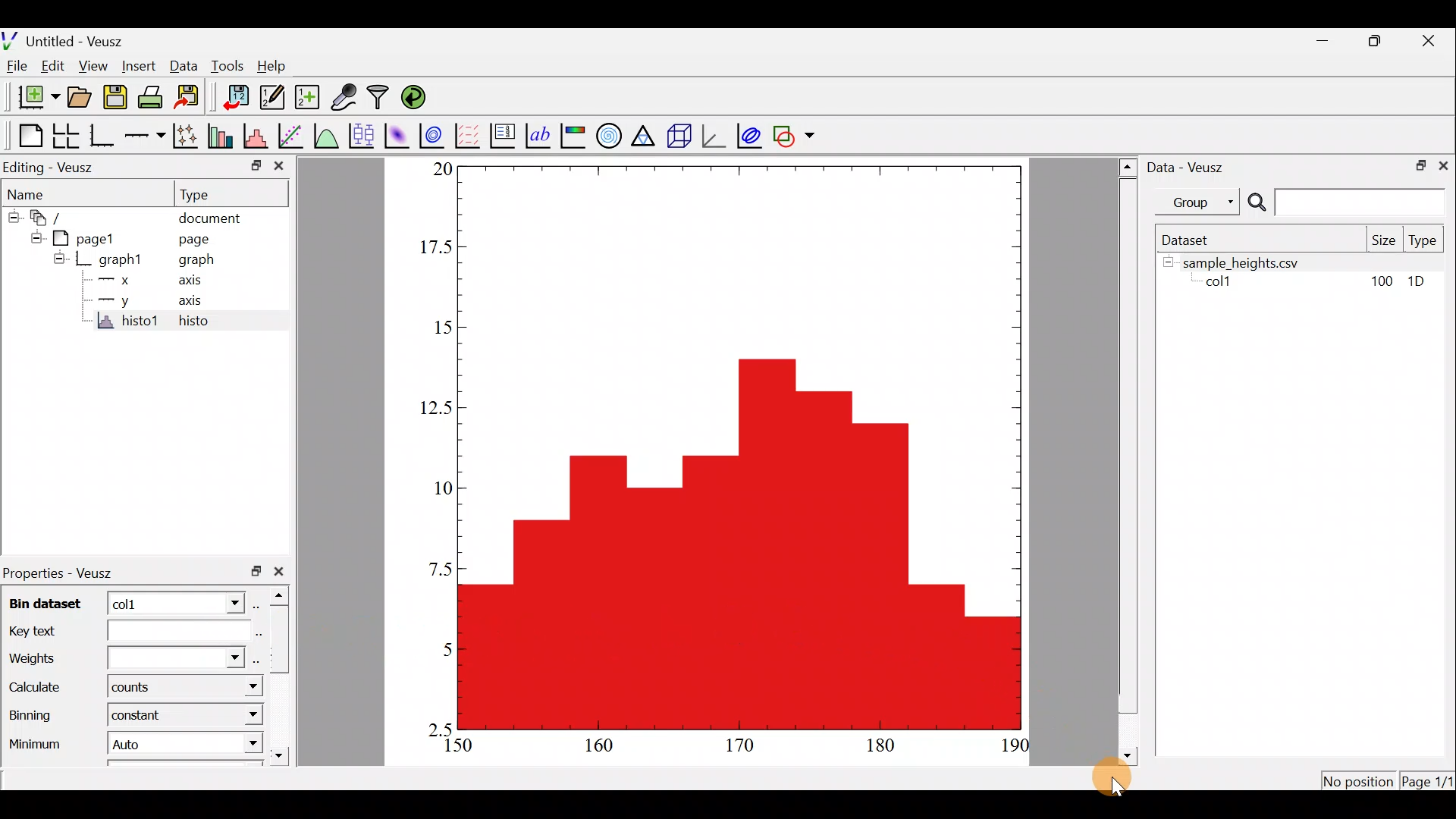  I want to click on histo, so click(206, 322).